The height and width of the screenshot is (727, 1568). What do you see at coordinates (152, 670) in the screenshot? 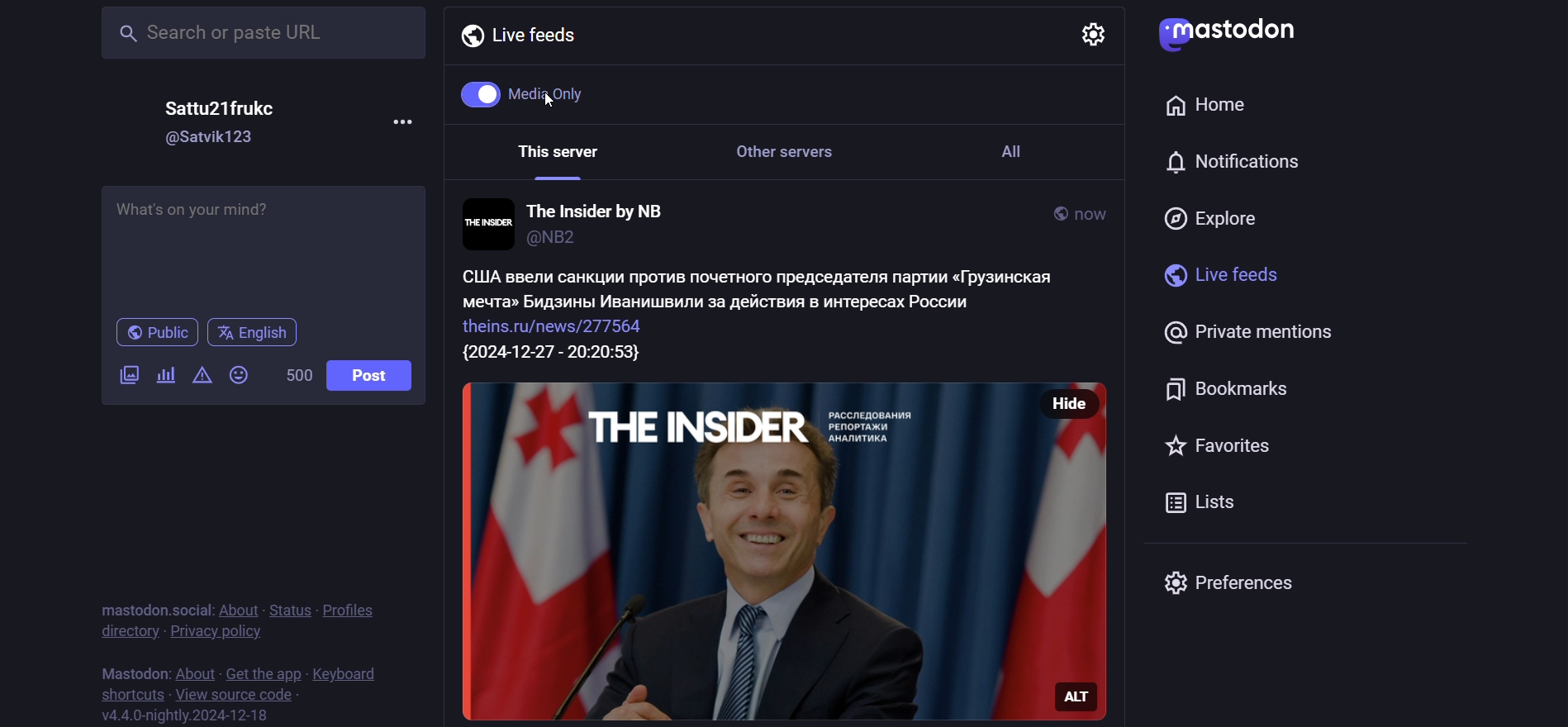
I see `mastodon social` at bounding box center [152, 670].